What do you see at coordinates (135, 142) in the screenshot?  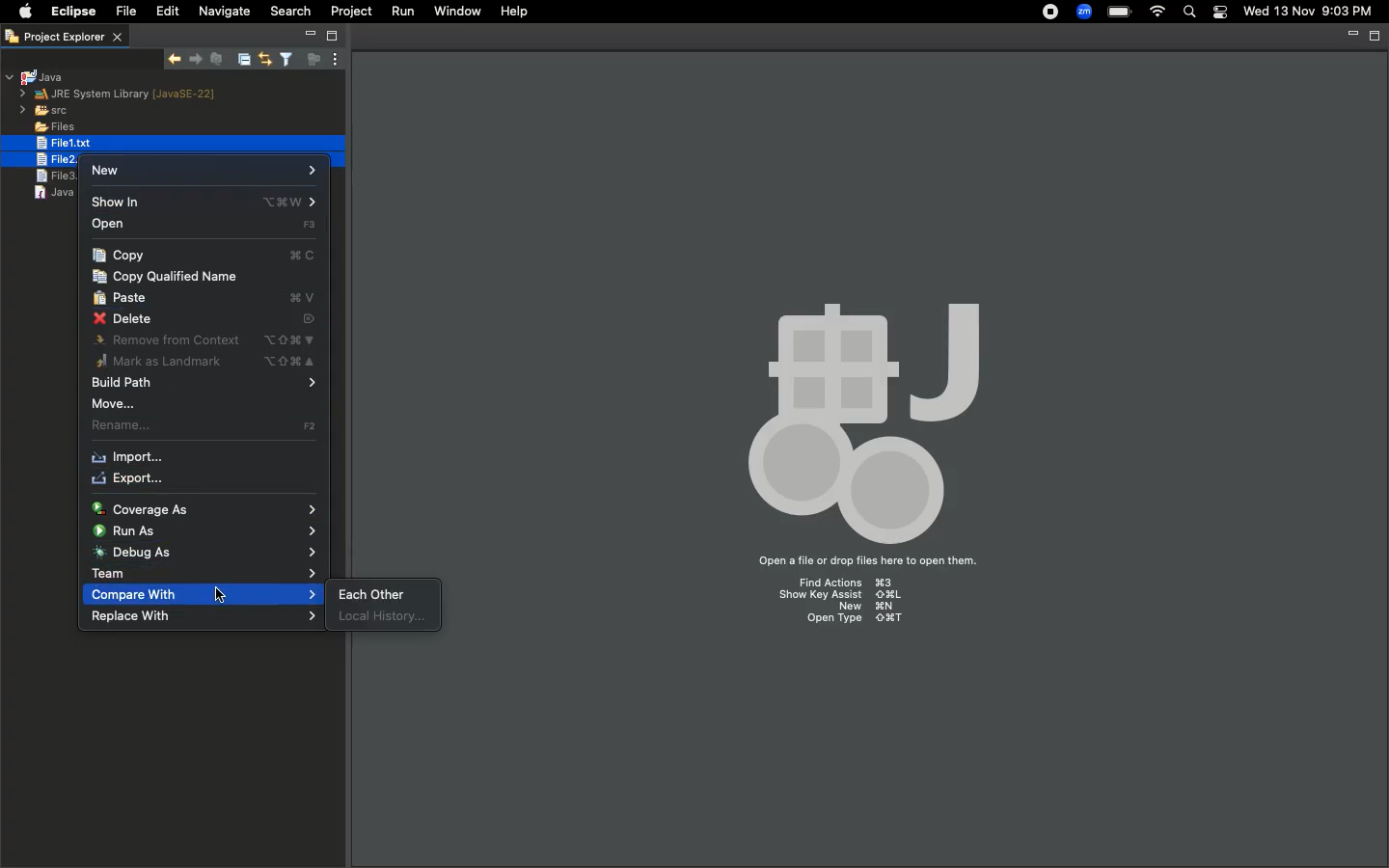 I see `selected files` at bounding box center [135, 142].